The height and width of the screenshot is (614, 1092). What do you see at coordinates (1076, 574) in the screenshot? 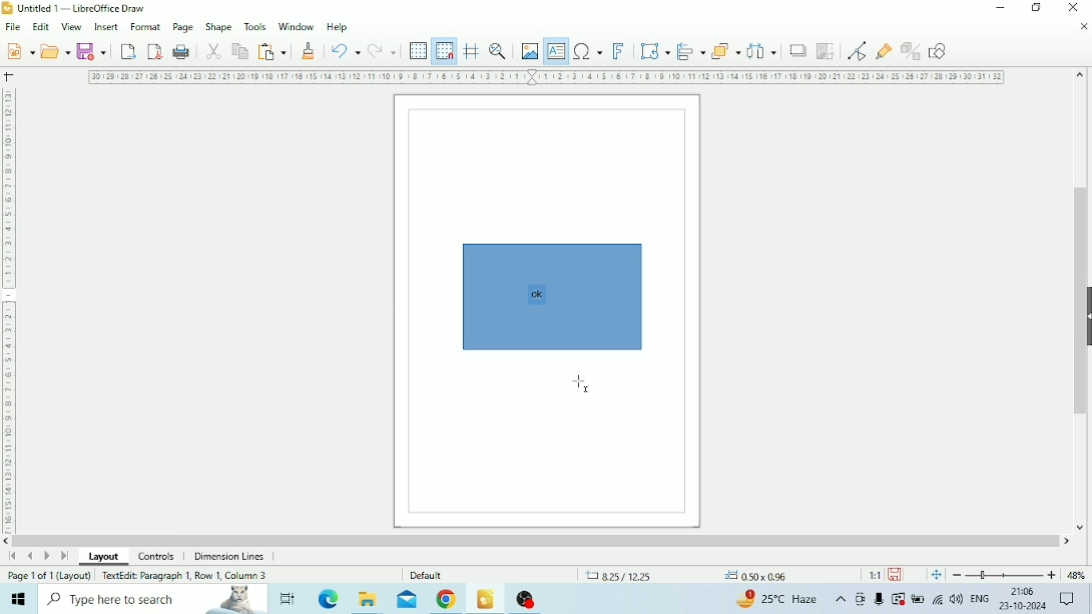
I see `Zoom factor` at bounding box center [1076, 574].